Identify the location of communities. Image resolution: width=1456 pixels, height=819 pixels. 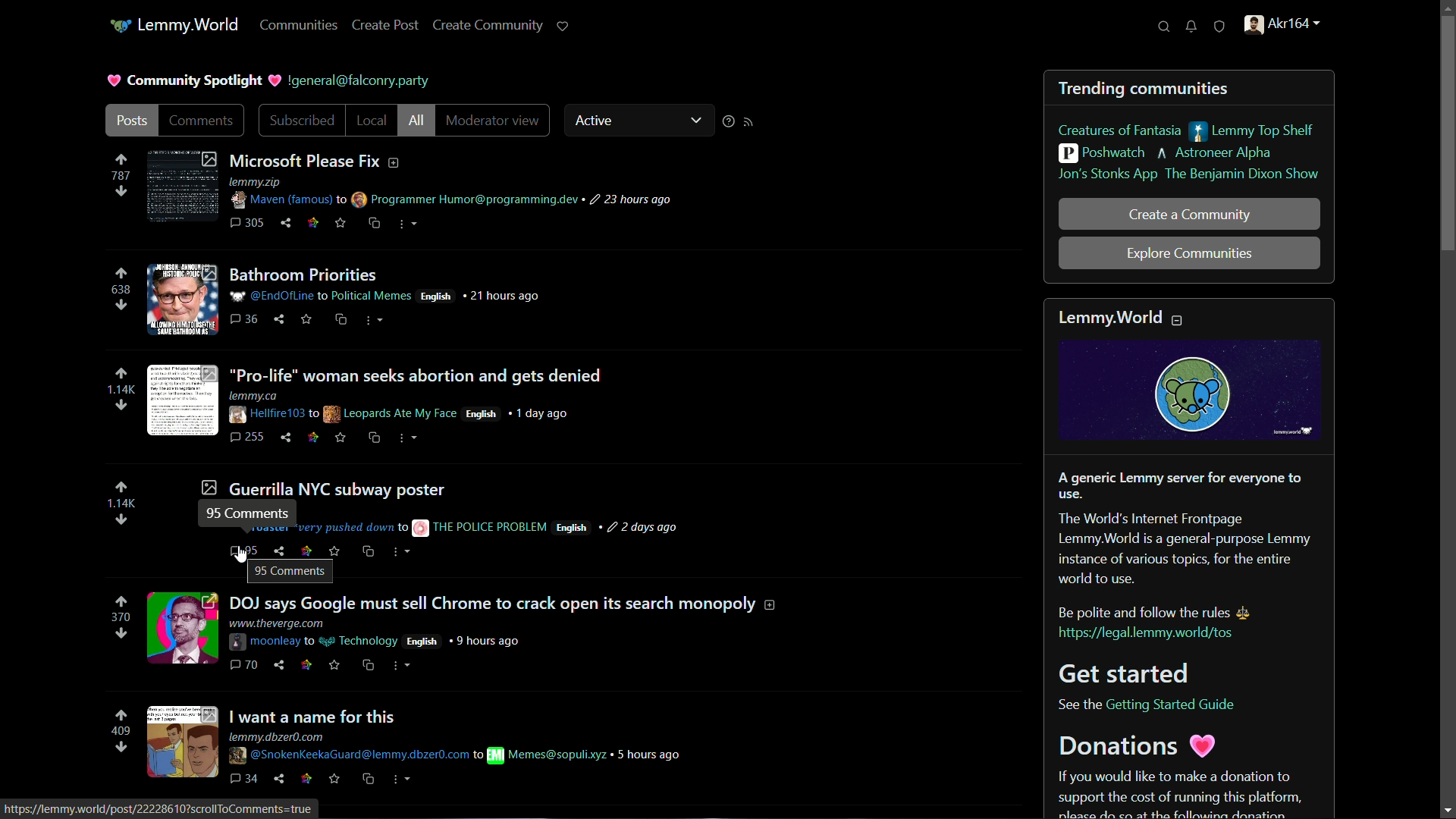
(299, 26).